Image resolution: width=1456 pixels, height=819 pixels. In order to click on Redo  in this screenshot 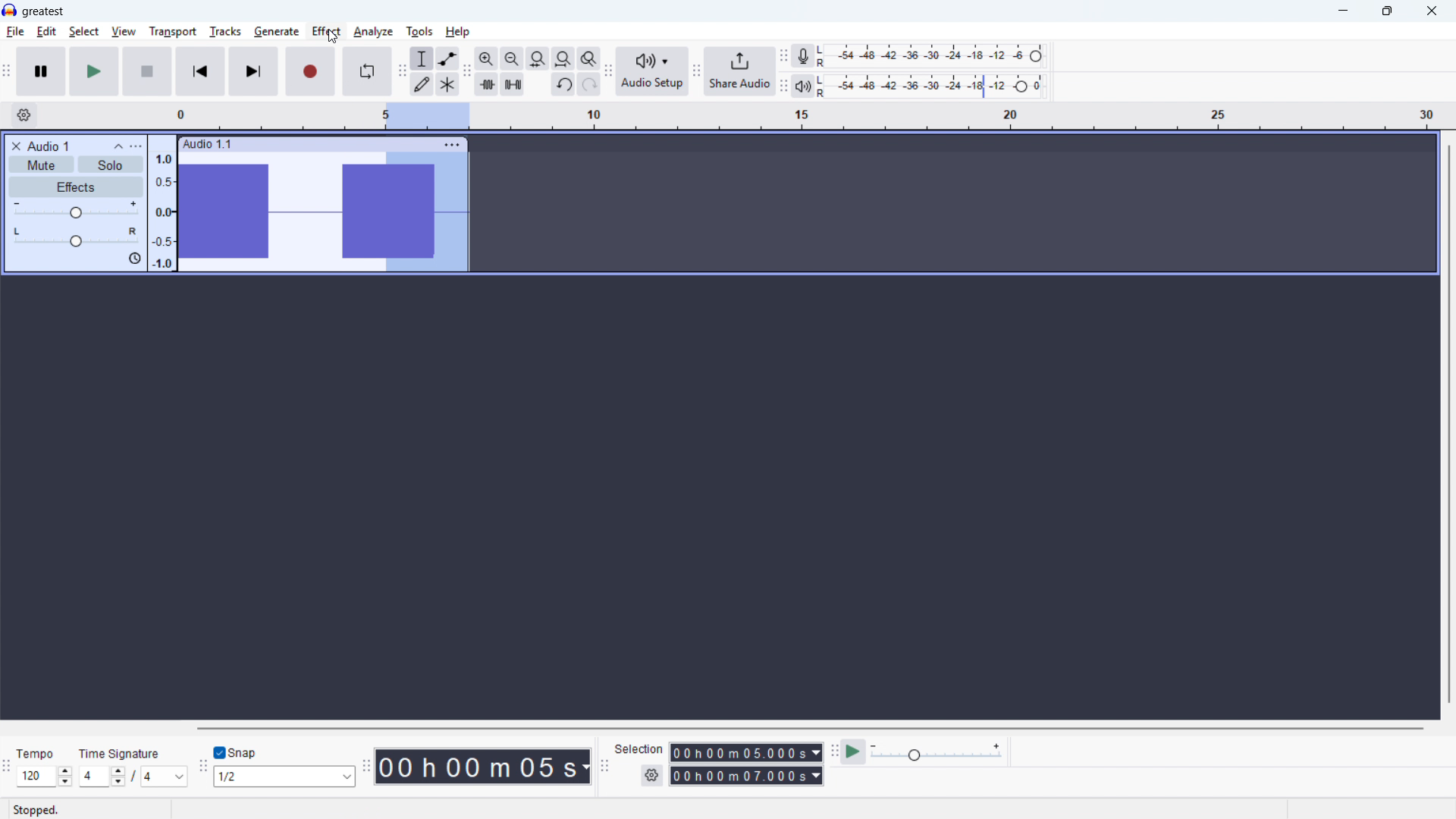, I will do `click(588, 84)`.